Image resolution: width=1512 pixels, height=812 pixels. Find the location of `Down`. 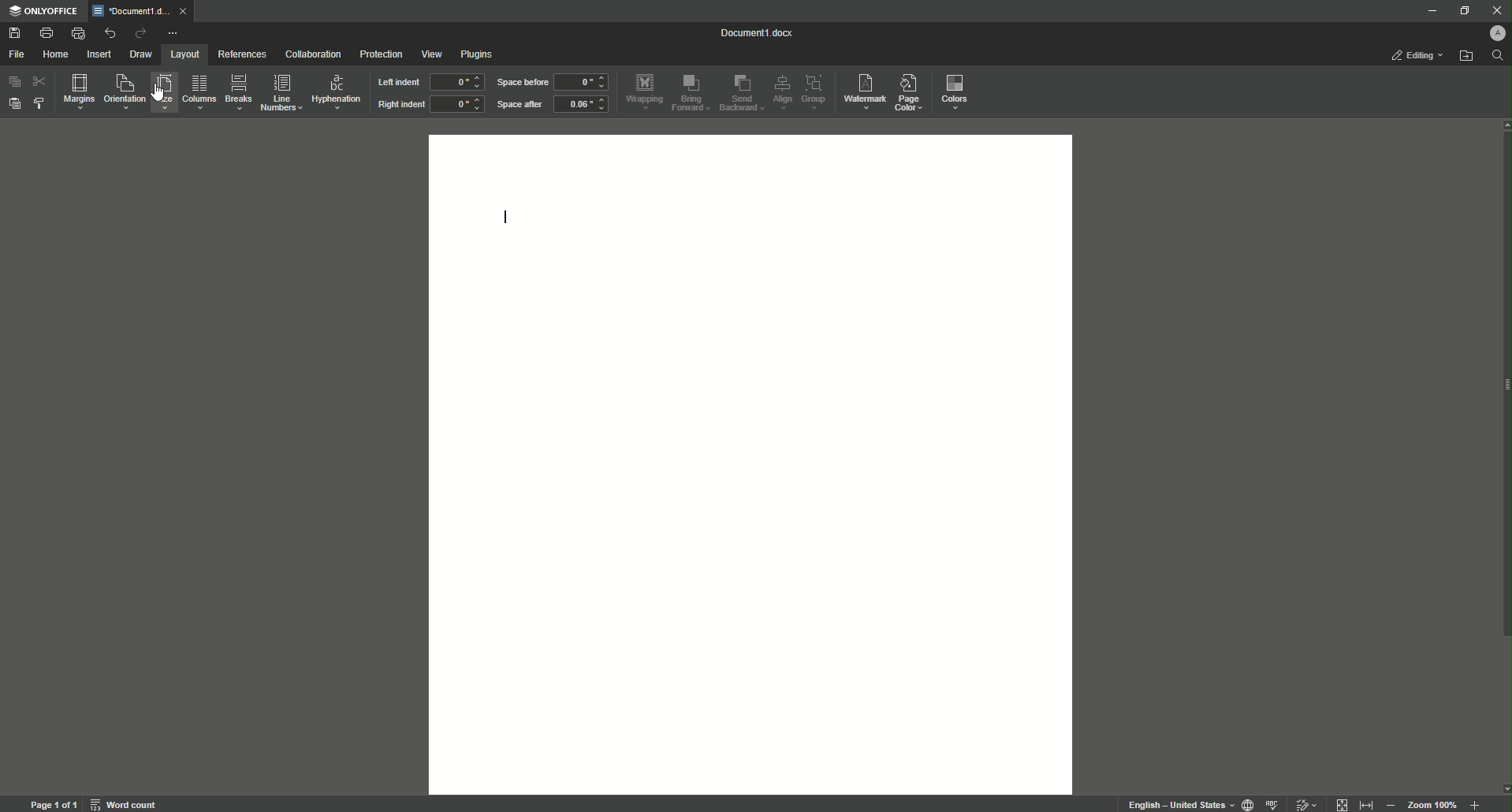

Down is located at coordinates (1503, 785).